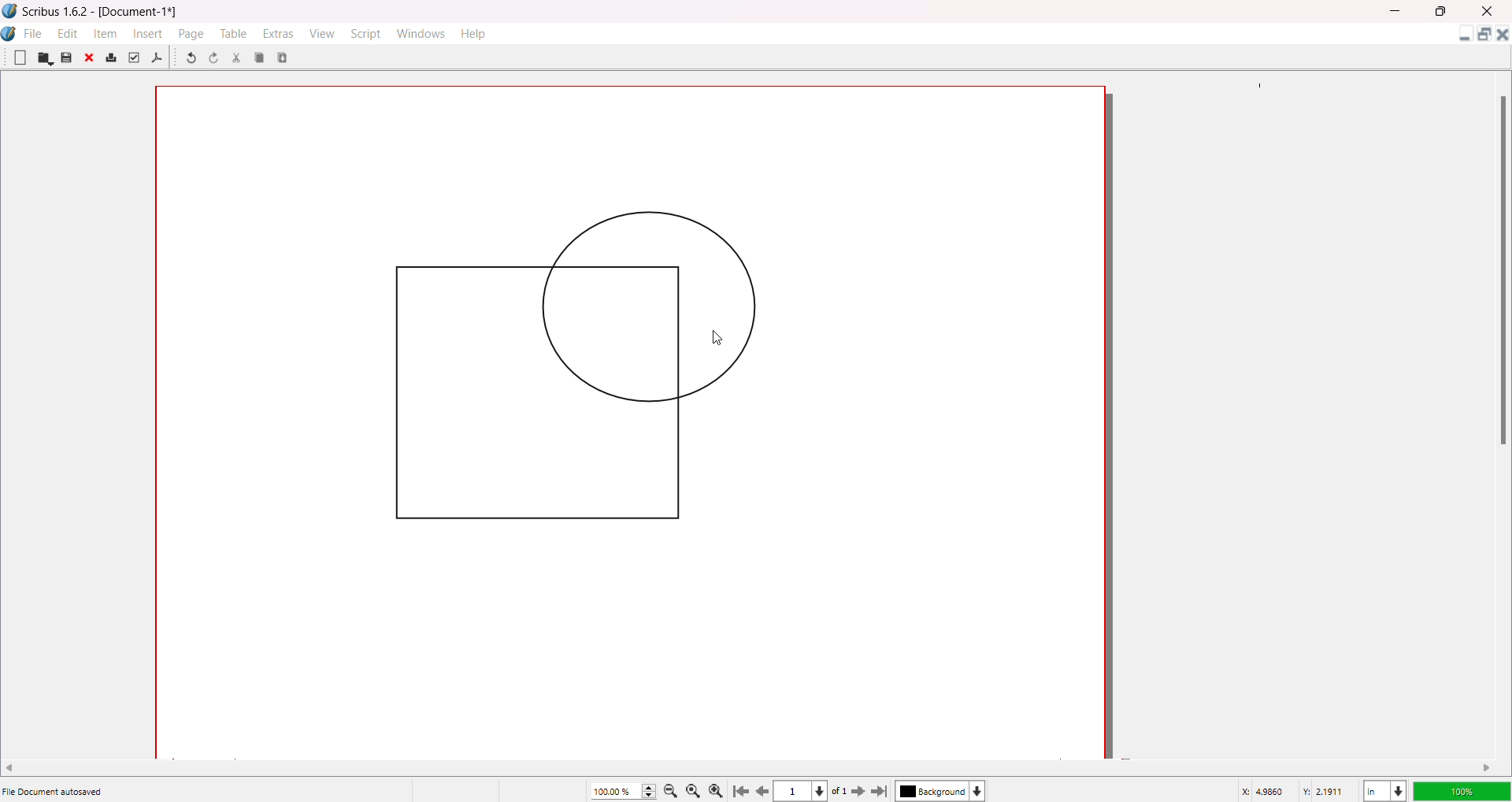  Describe the element at coordinates (190, 59) in the screenshot. I see `Undo` at that location.